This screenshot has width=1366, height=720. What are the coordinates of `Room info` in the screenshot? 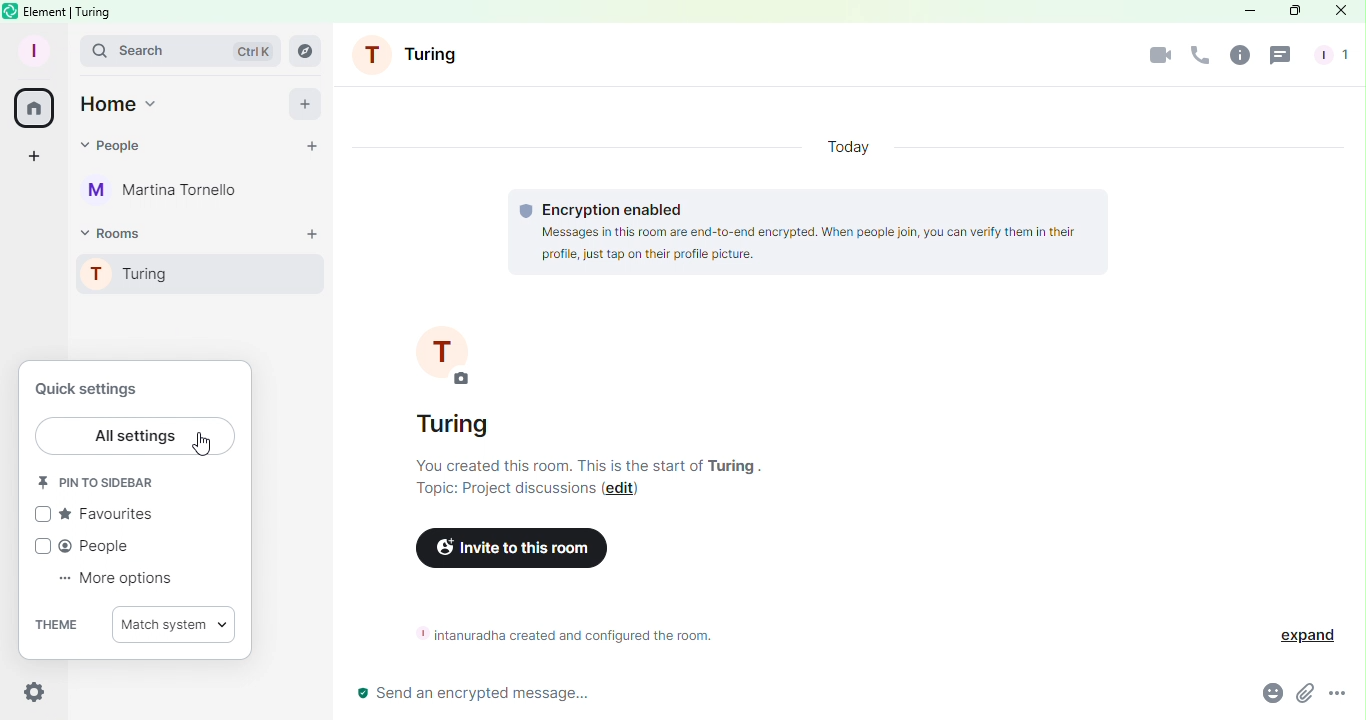 It's located at (1237, 59).